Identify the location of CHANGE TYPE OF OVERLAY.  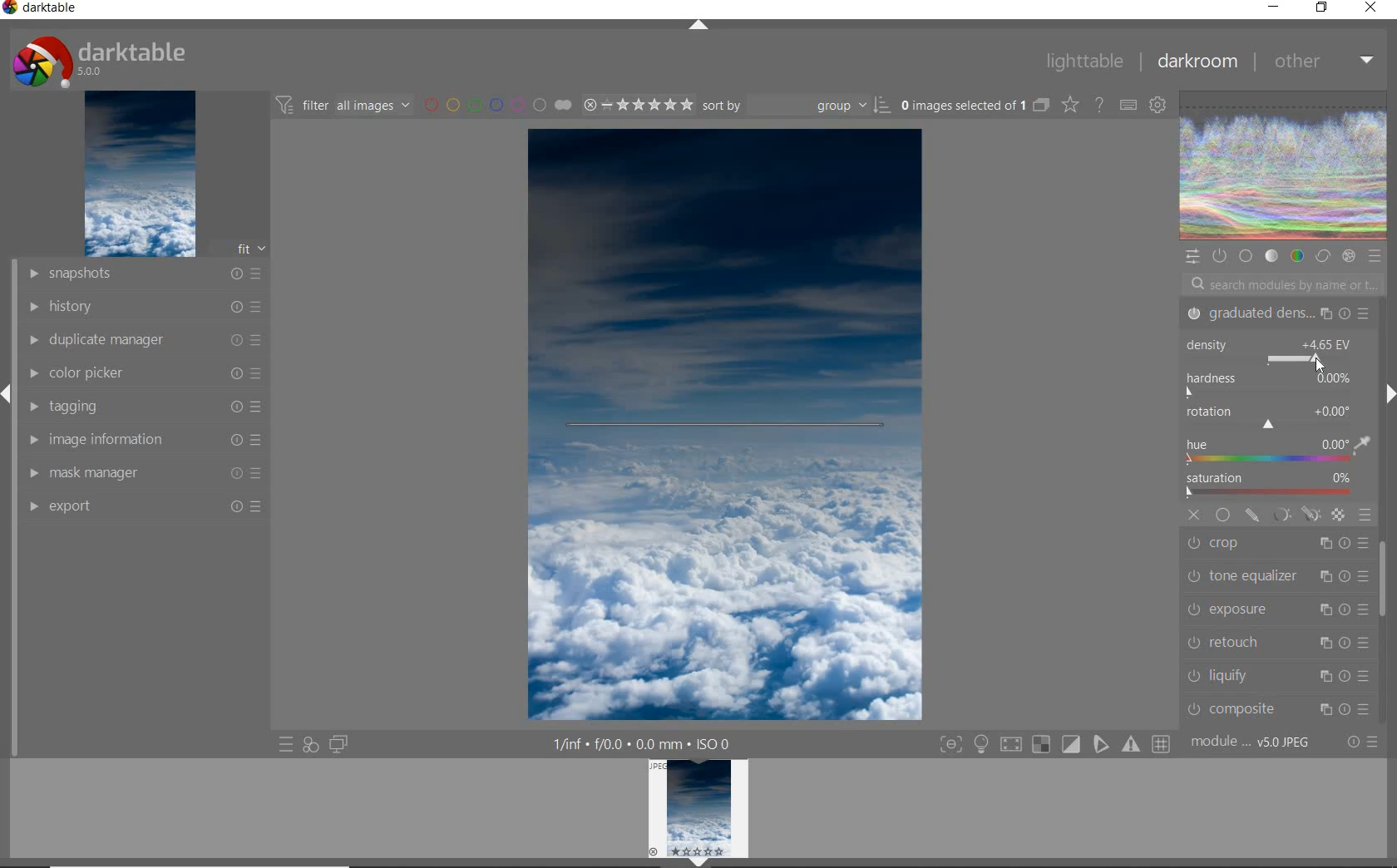
(1069, 106).